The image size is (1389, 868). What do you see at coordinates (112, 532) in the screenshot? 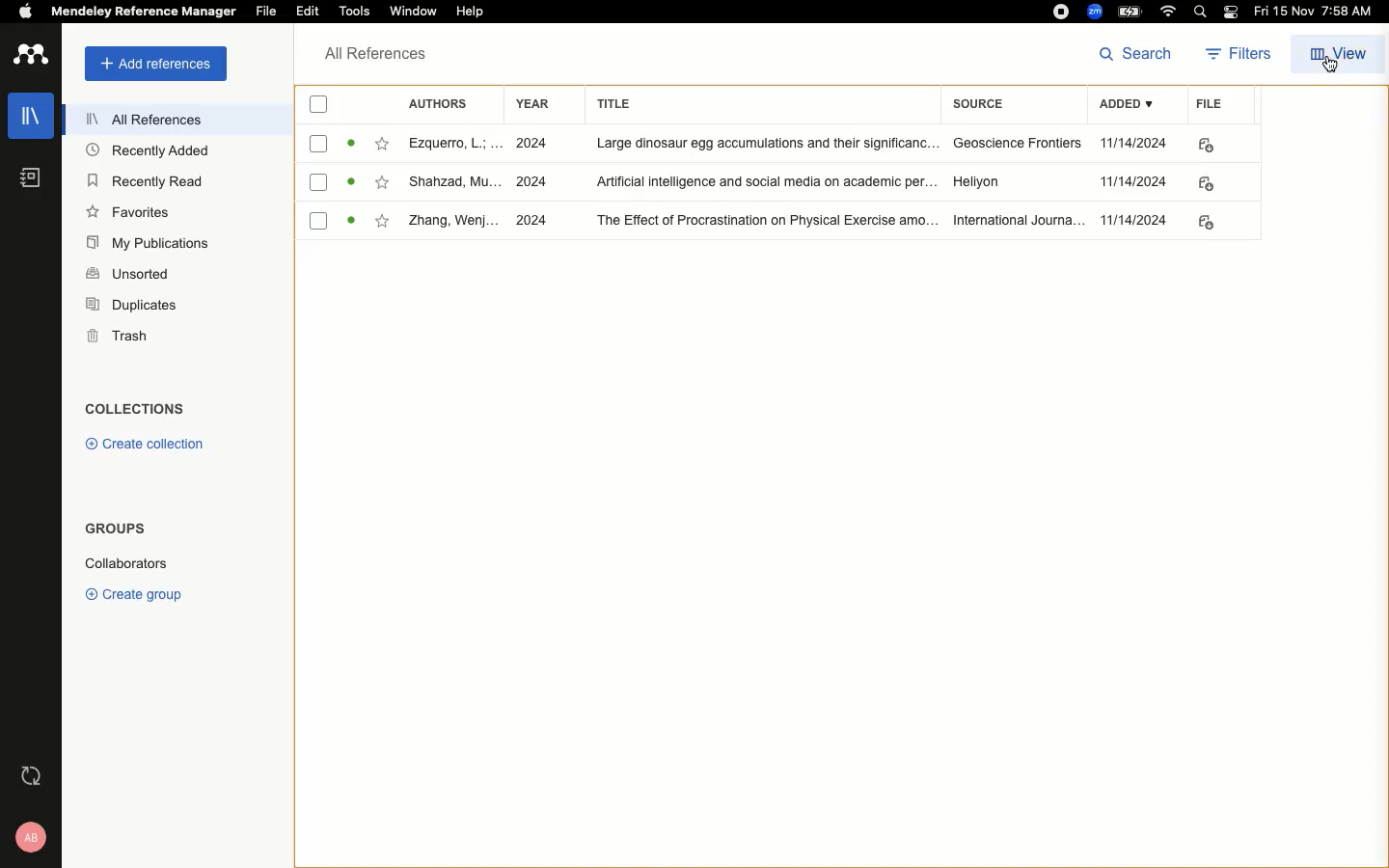
I see `Groups` at bounding box center [112, 532].